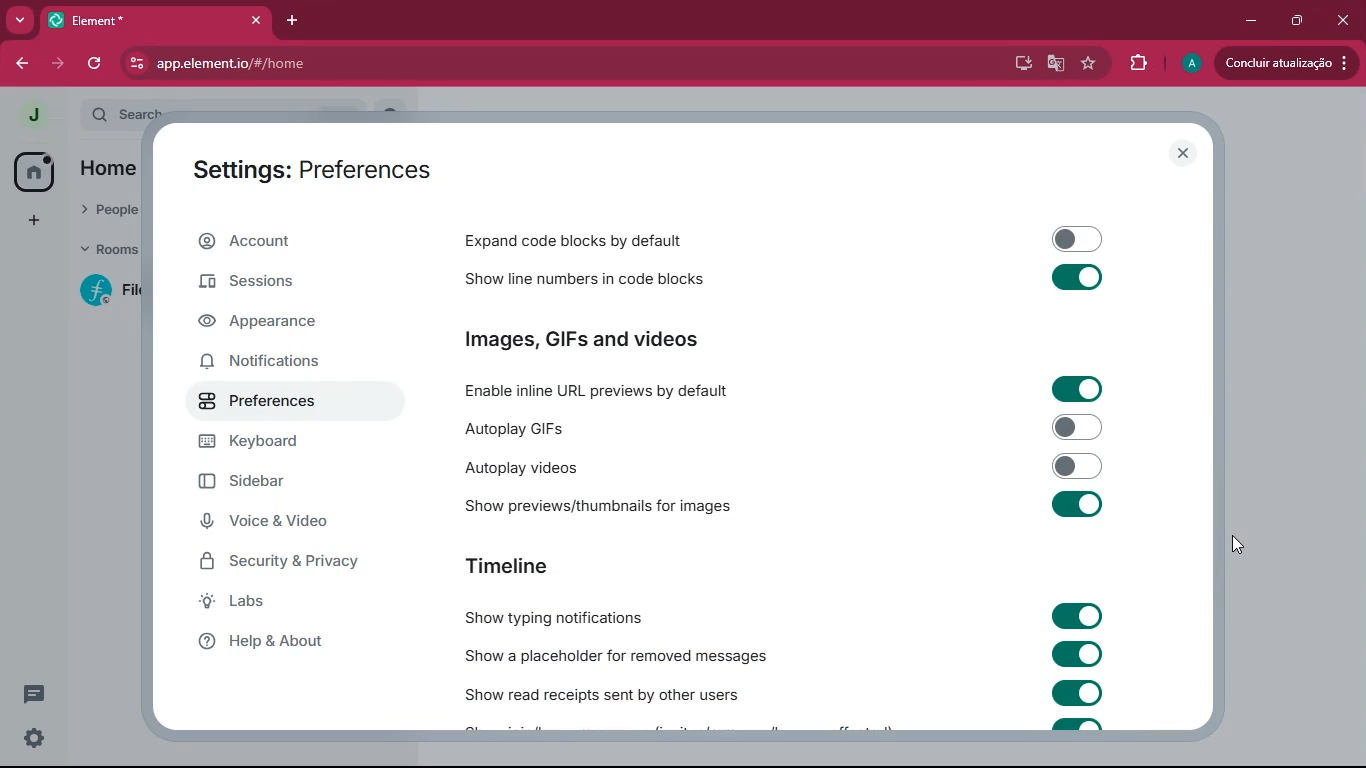 This screenshot has width=1366, height=768. What do you see at coordinates (36, 693) in the screenshot?
I see `threads` at bounding box center [36, 693].